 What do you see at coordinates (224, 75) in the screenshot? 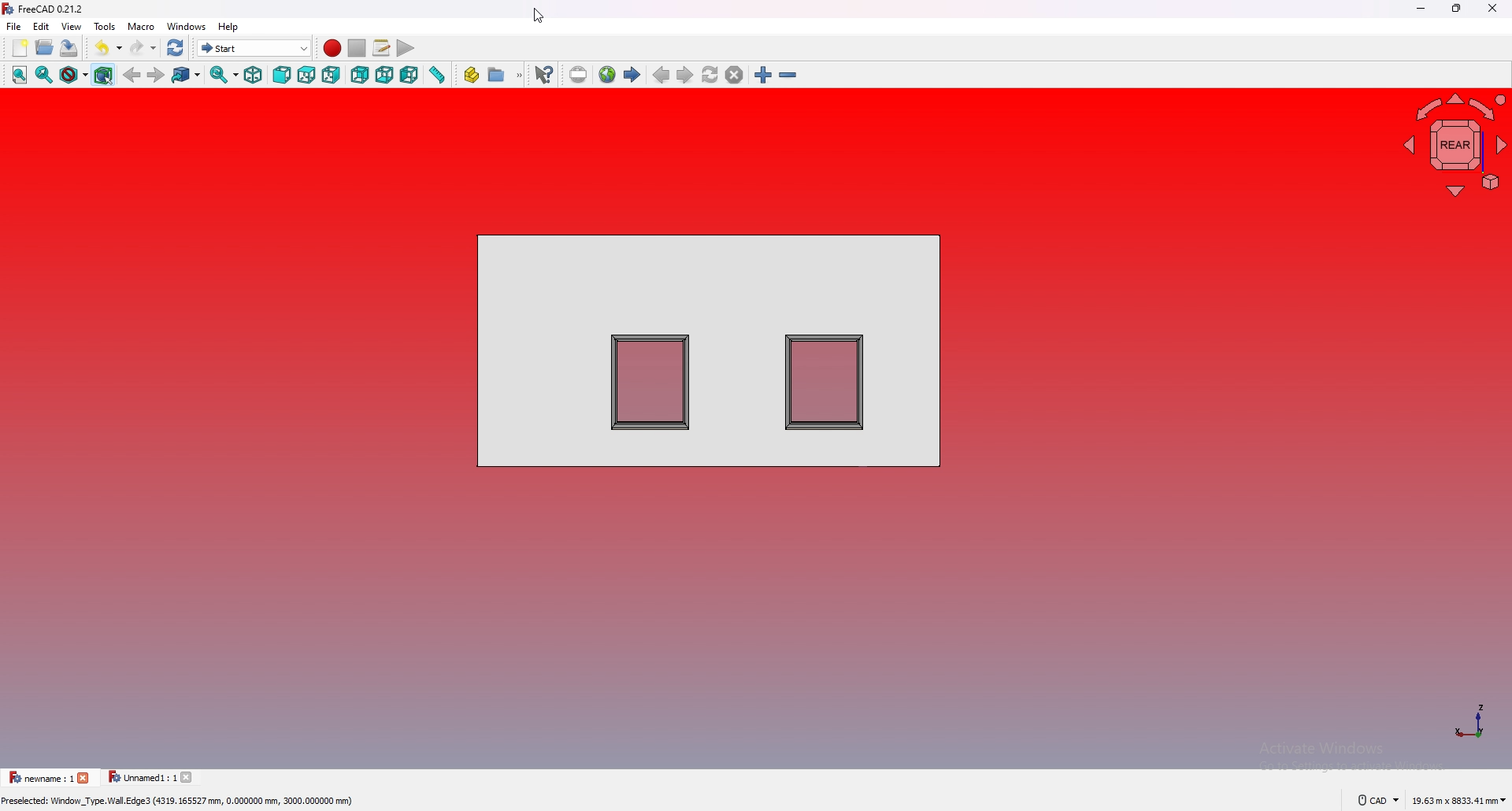
I see `sync view` at bounding box center [224, 75].